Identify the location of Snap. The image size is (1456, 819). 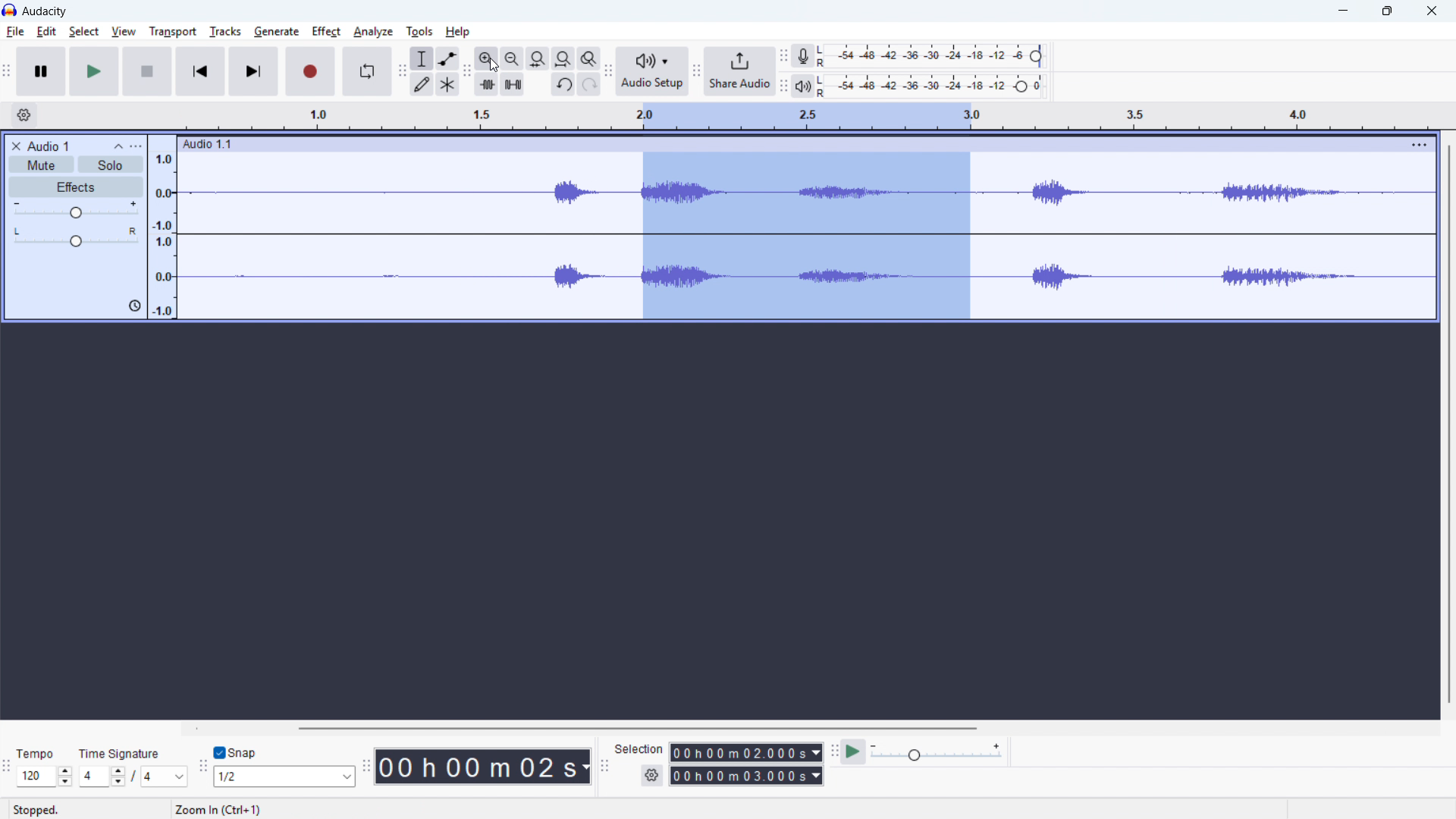
(238, 752).